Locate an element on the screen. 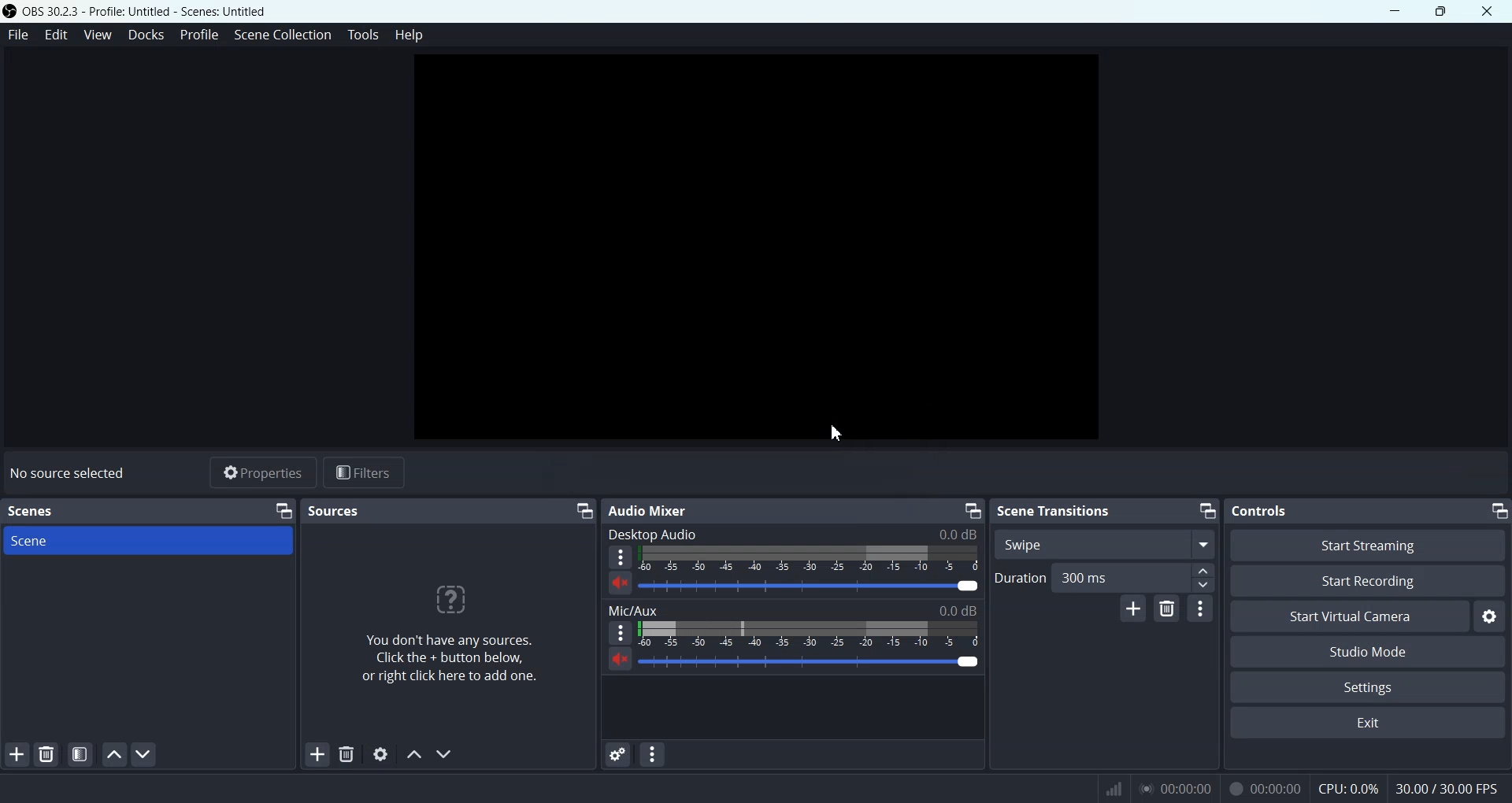 This screenshot has height=803, width=1512. No source selected is located at coordinates (71, 472).